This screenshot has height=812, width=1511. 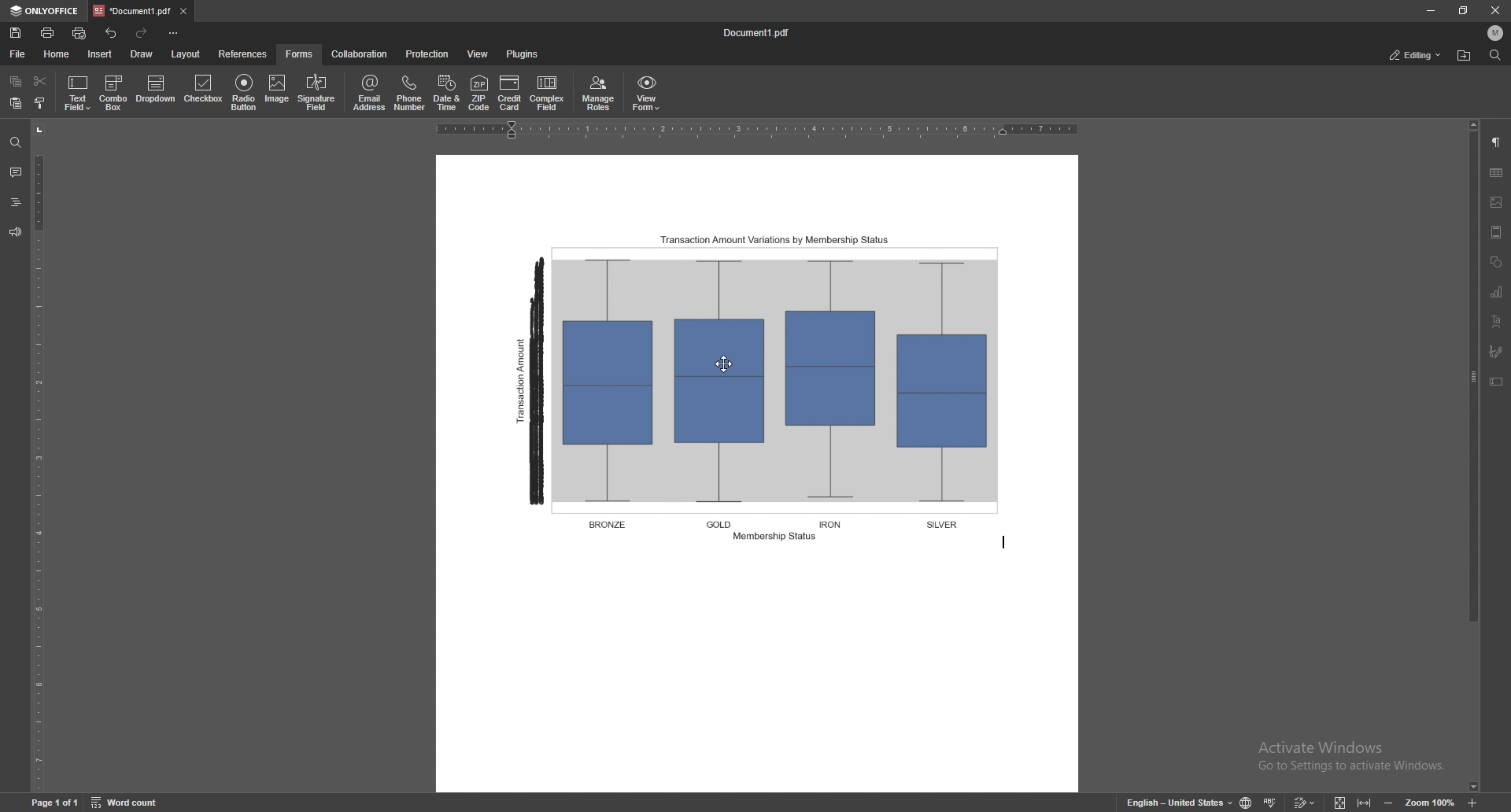 I want to click on credit card, so click(x=508, y=93).